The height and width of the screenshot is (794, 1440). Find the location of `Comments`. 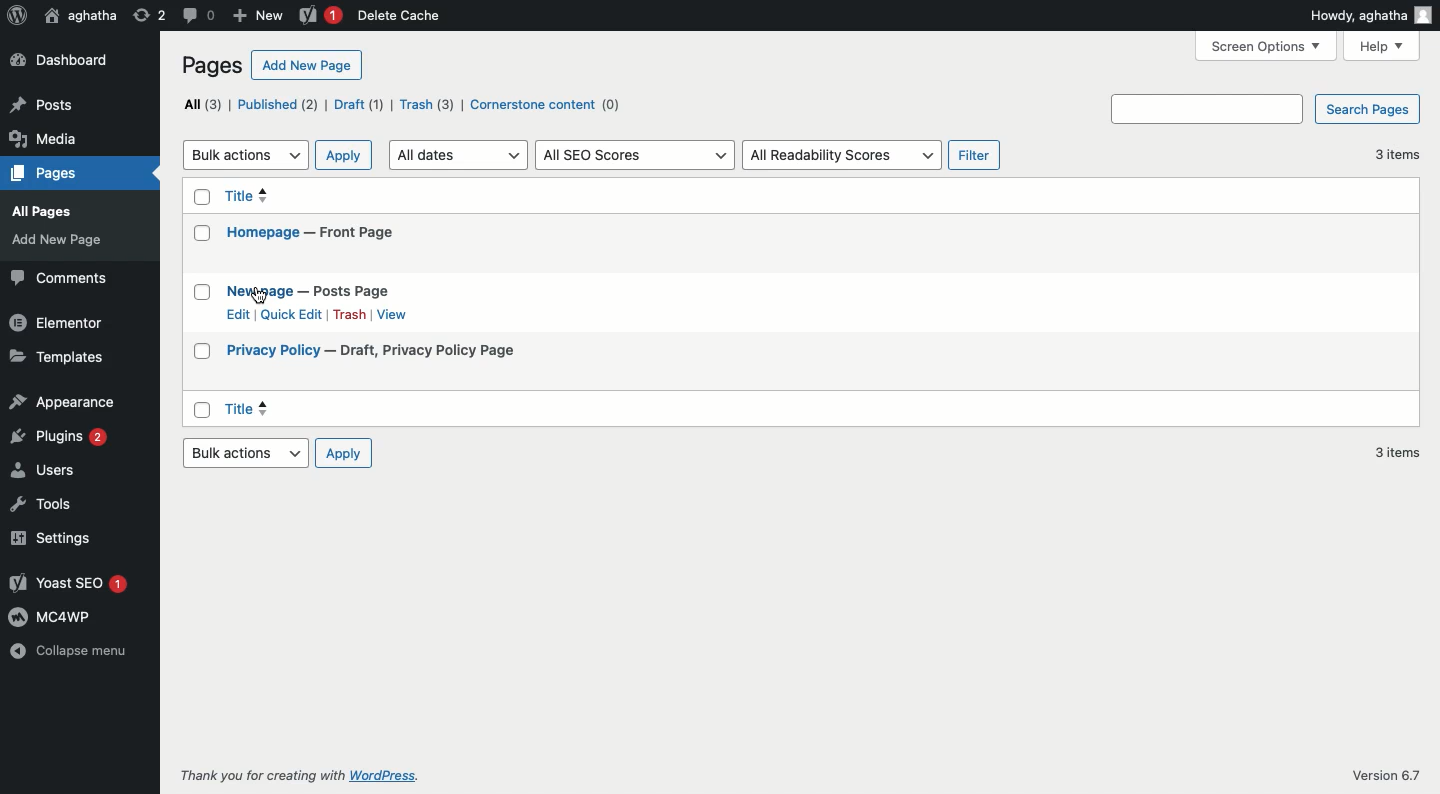

Comments is located at coordinates (58, 278).